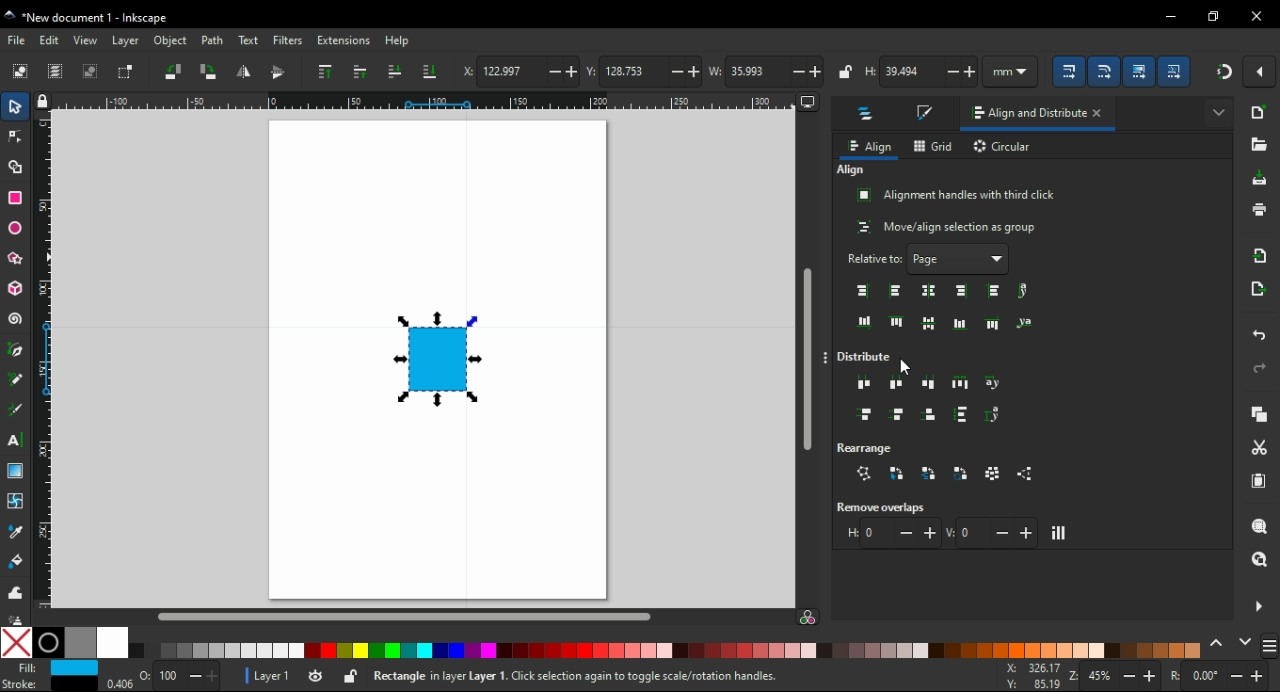  I want to click on new, so click(1260, 112).